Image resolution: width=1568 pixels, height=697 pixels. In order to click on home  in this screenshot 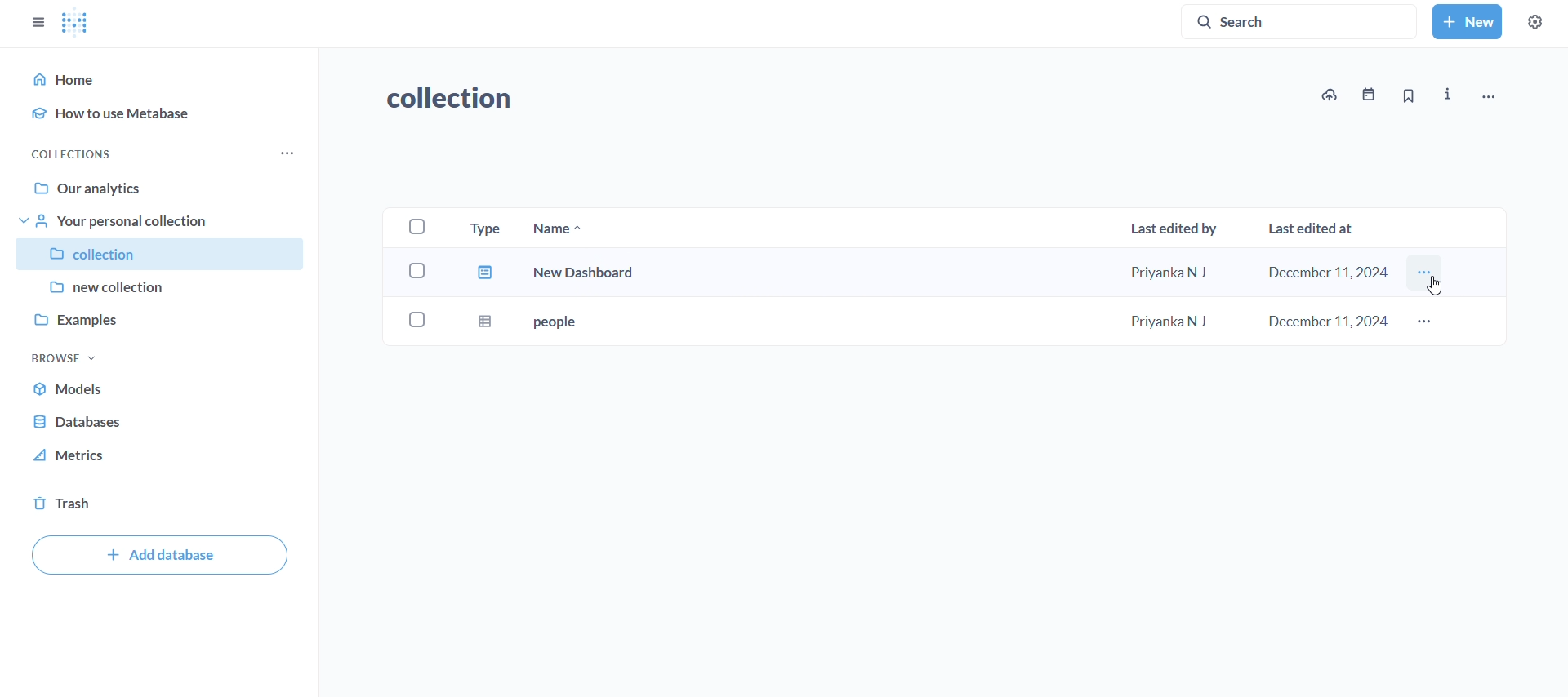, I will do `click(163, 77)`.